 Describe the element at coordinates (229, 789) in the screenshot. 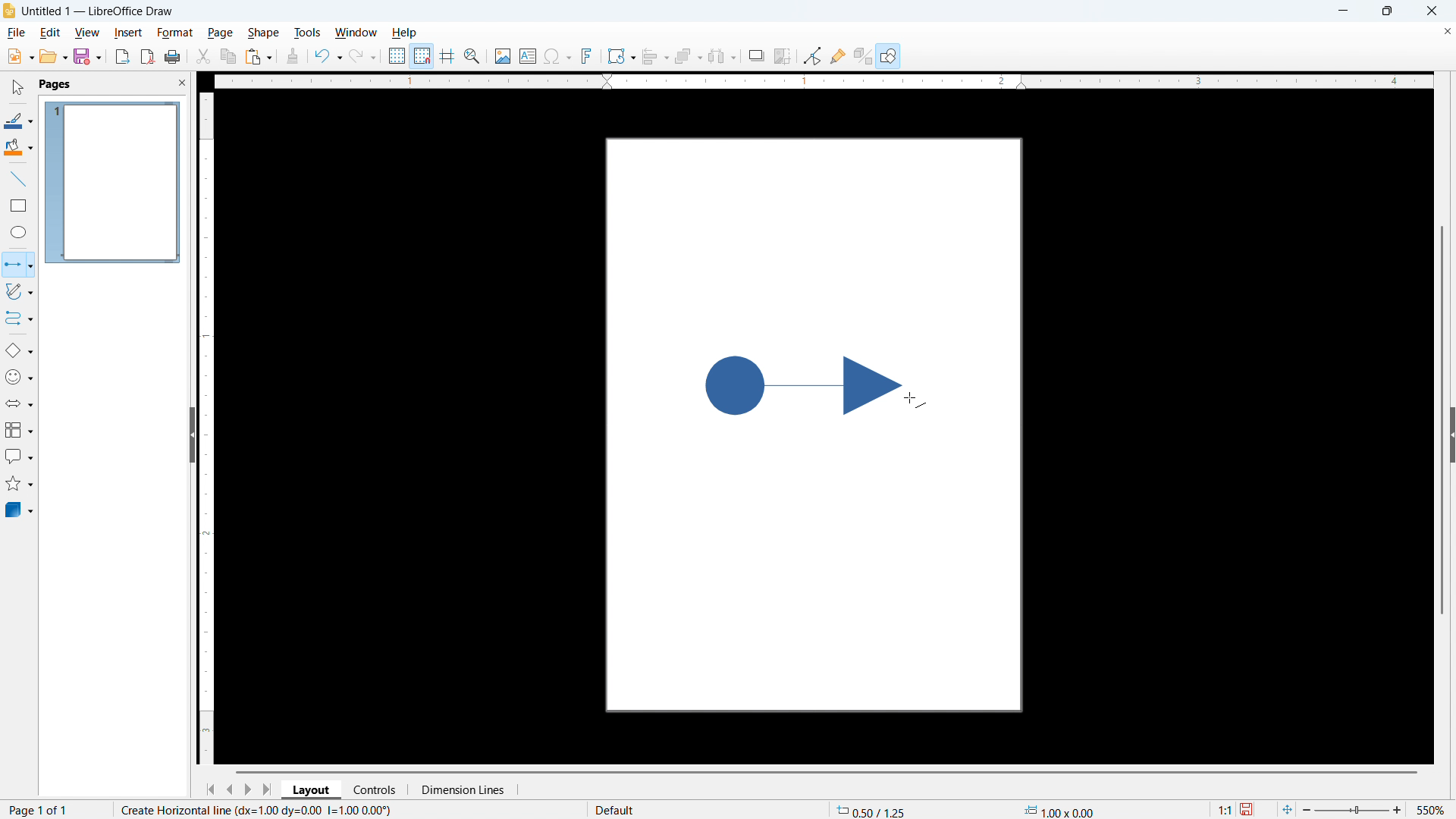

I see `Previous page ` at that location.